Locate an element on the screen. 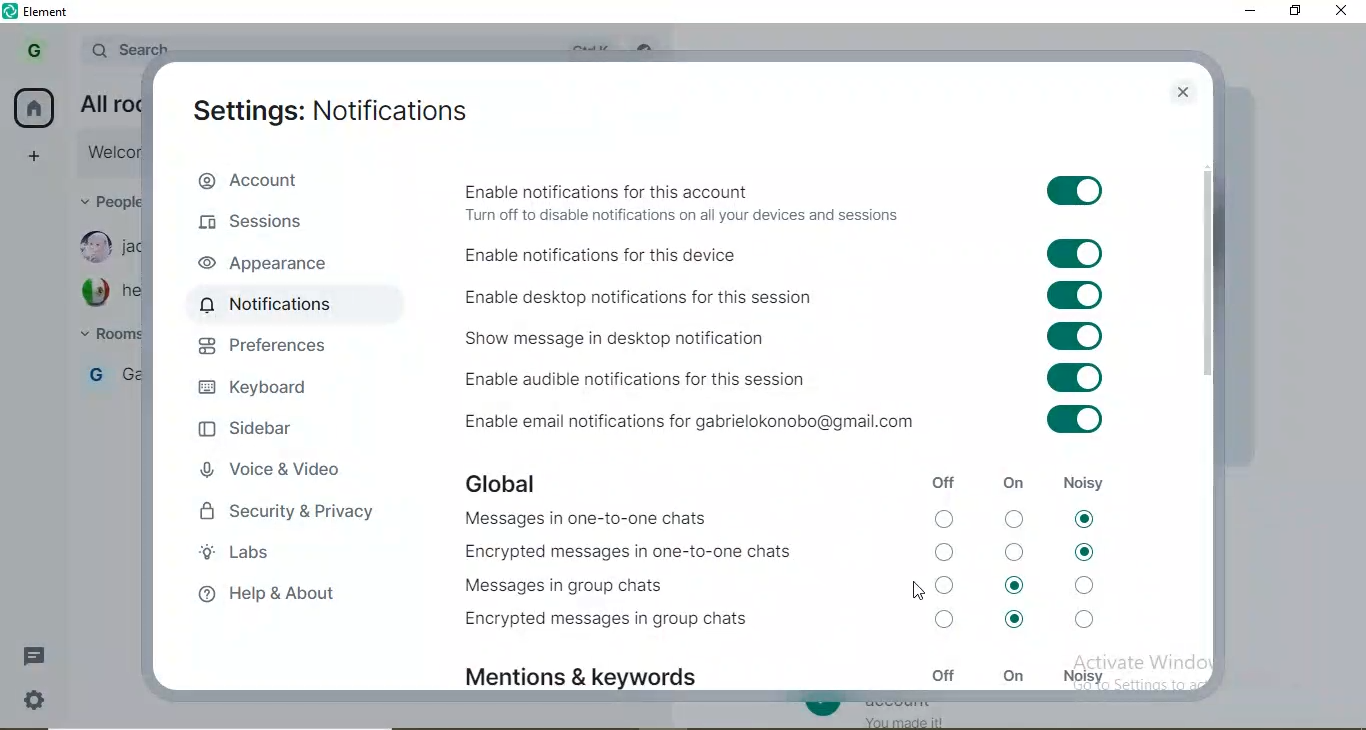 The image size is (1366, 730). people is located at coordinates (110, 198).